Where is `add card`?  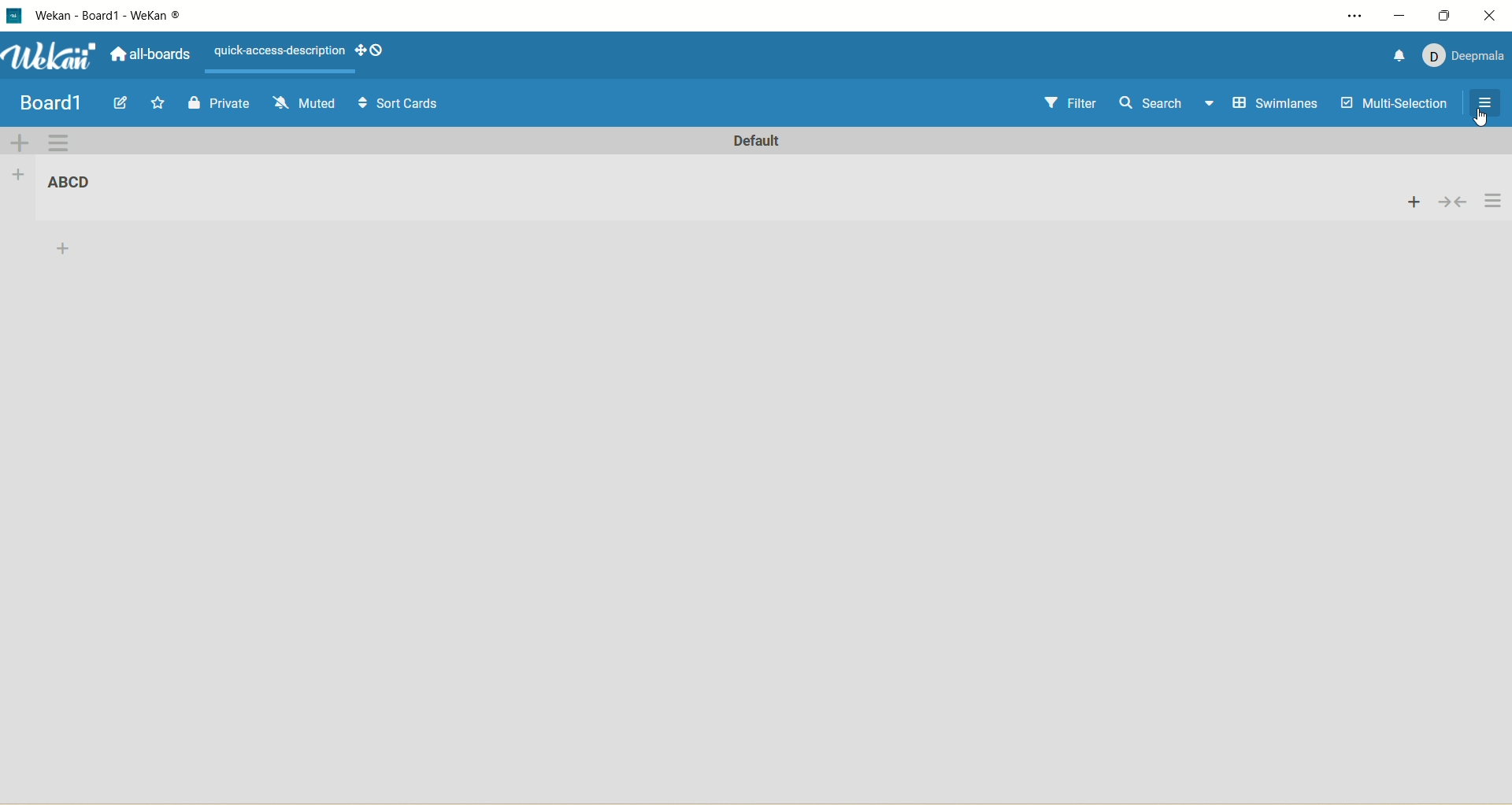
add card is located at coordinates (60, 250).